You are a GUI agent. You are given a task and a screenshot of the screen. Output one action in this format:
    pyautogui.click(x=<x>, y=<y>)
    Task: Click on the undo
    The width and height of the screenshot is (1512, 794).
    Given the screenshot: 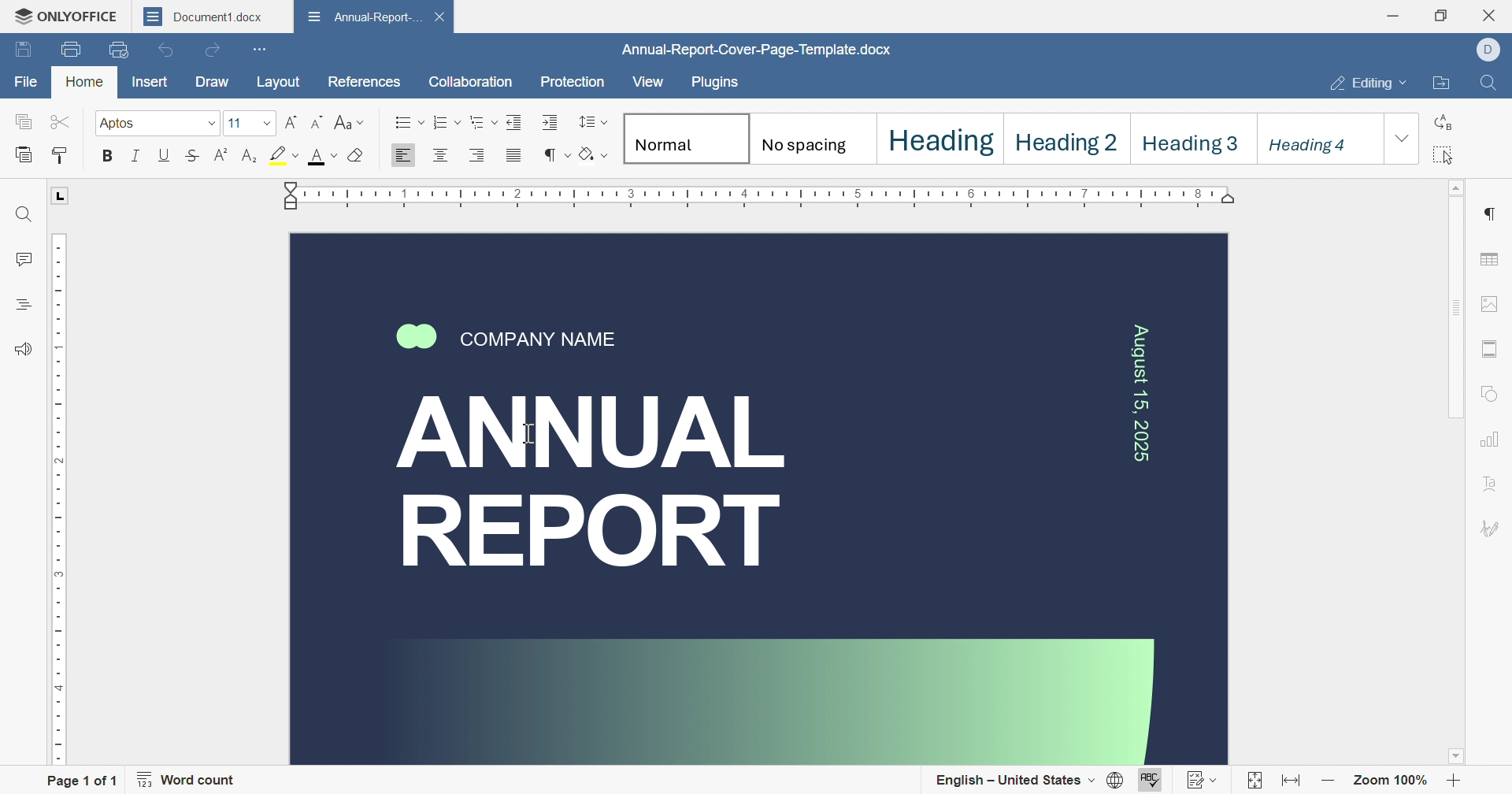 What is the action you would take?
    pyautogui.click(x=166, y=52)
    